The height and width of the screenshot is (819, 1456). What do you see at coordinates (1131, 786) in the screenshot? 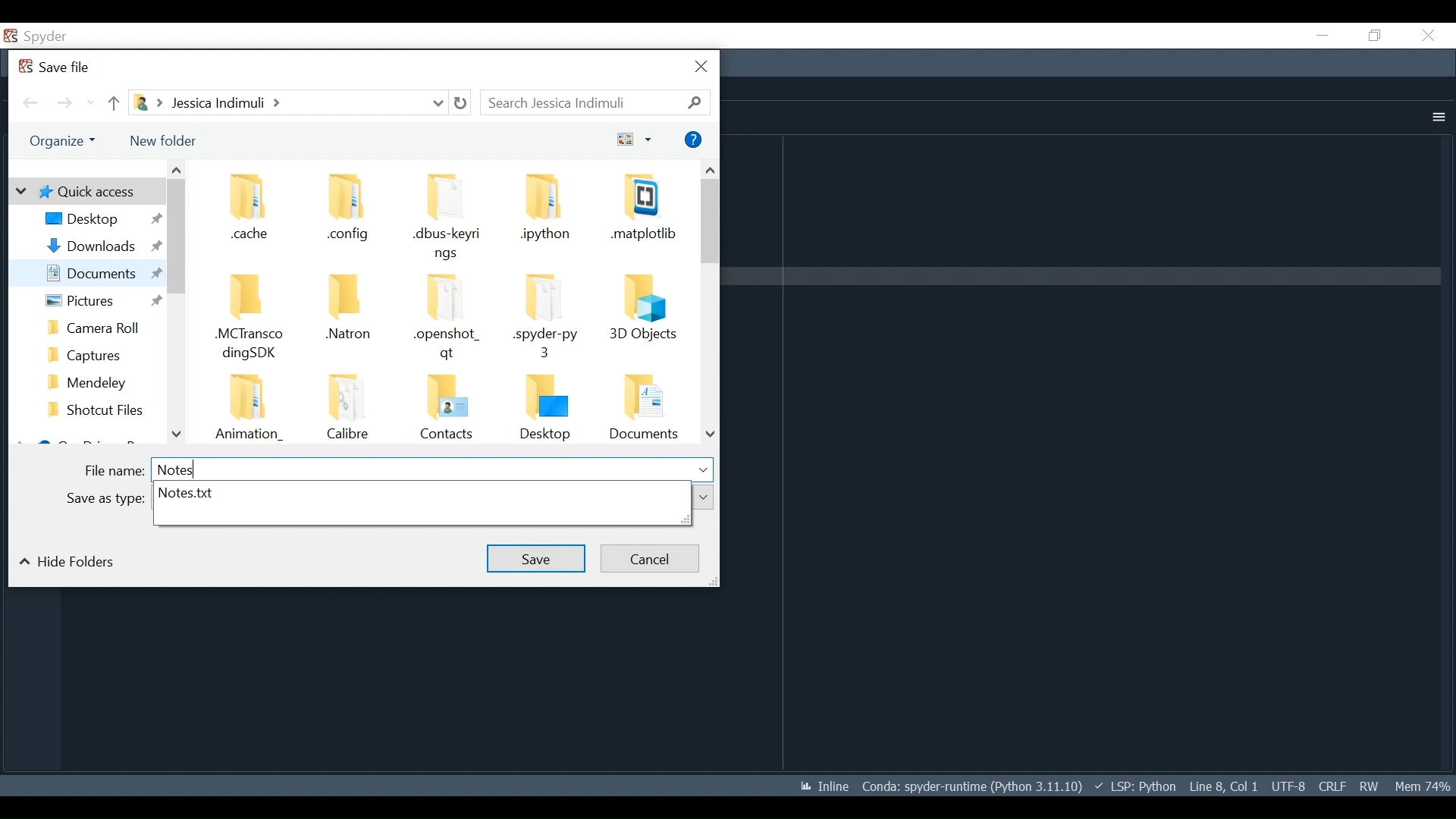
I see `Language` at bounding box center [1131, 786].